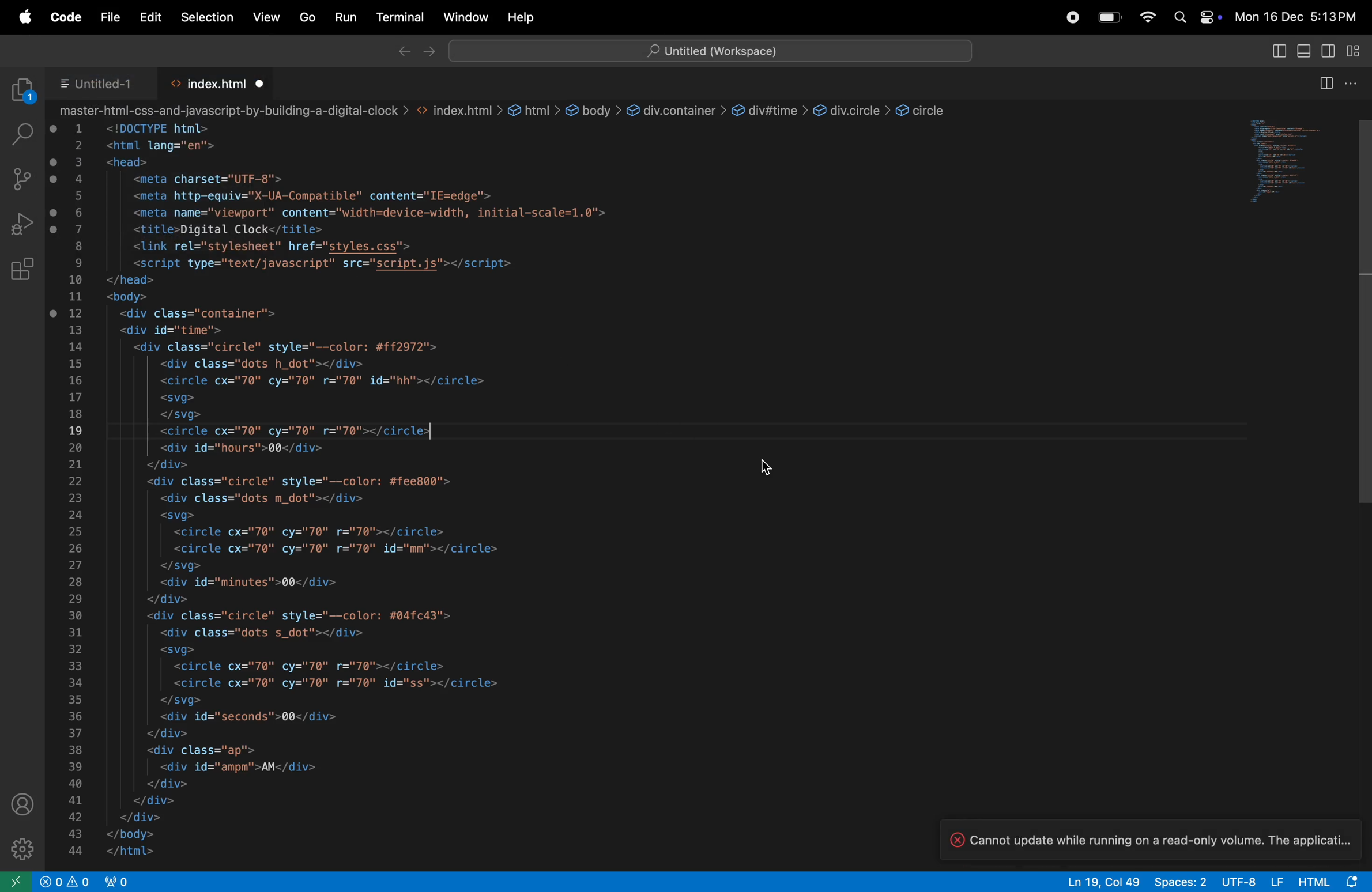  I want to click on file, so click(107, 18).